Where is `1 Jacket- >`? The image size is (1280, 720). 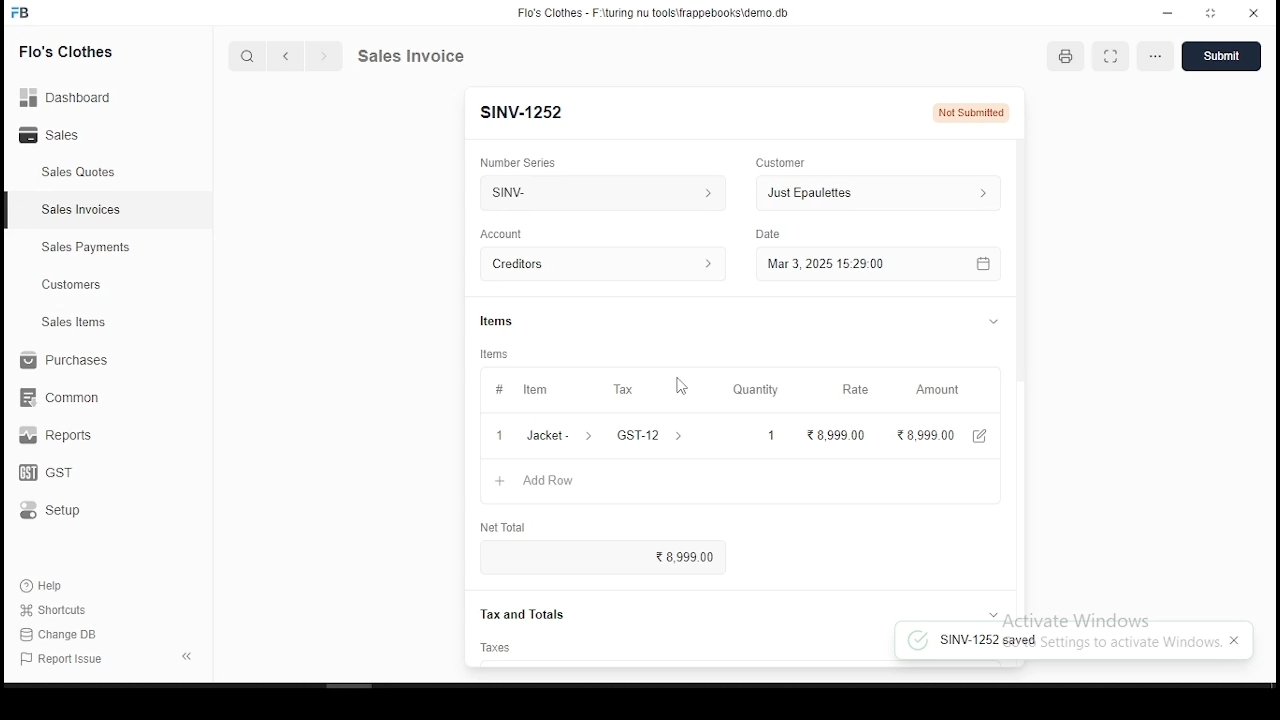
1 Jacket- > is located at coordinates (547, 436).